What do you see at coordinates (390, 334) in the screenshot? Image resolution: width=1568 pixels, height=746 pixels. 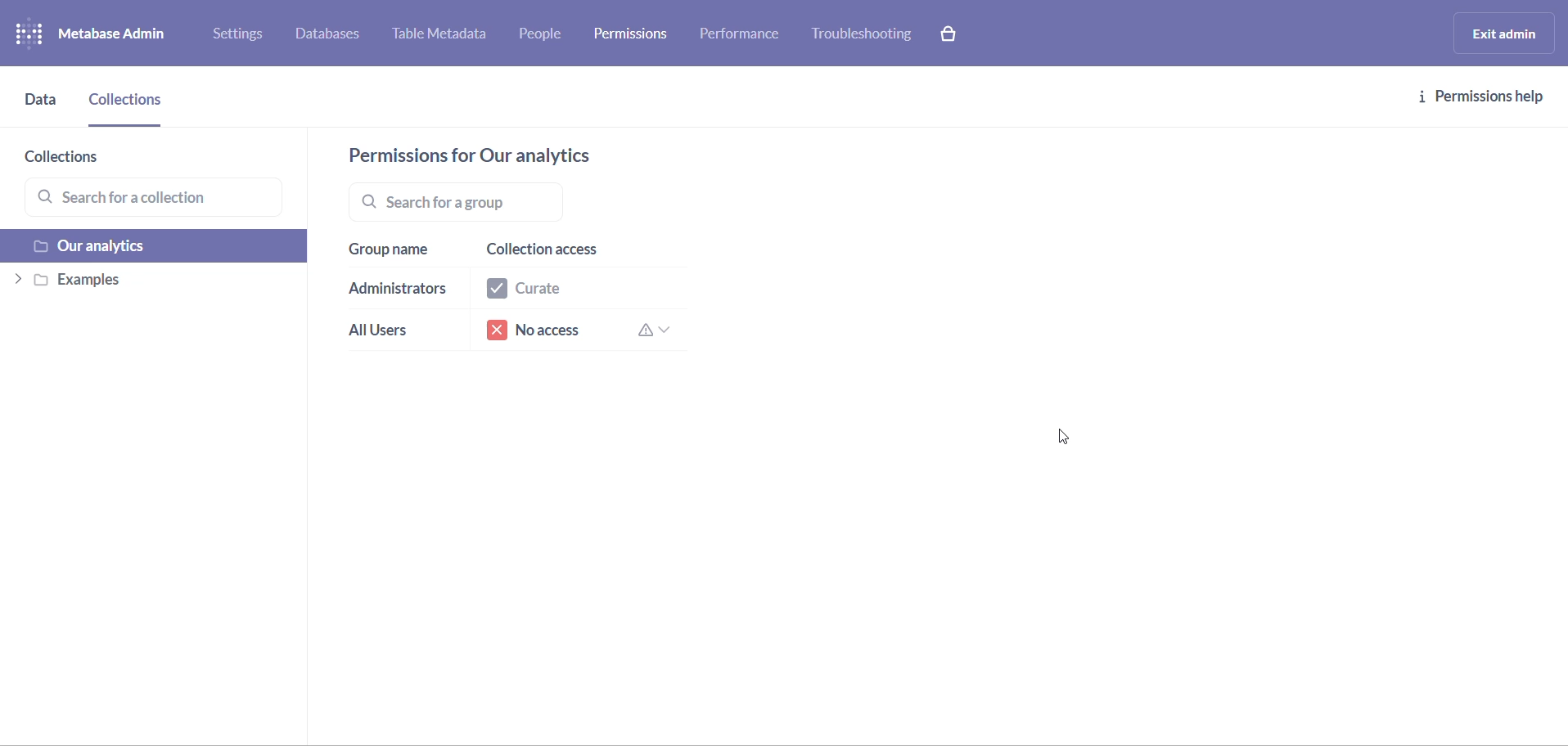 I see `all users group` at bounding box center [390, 334].